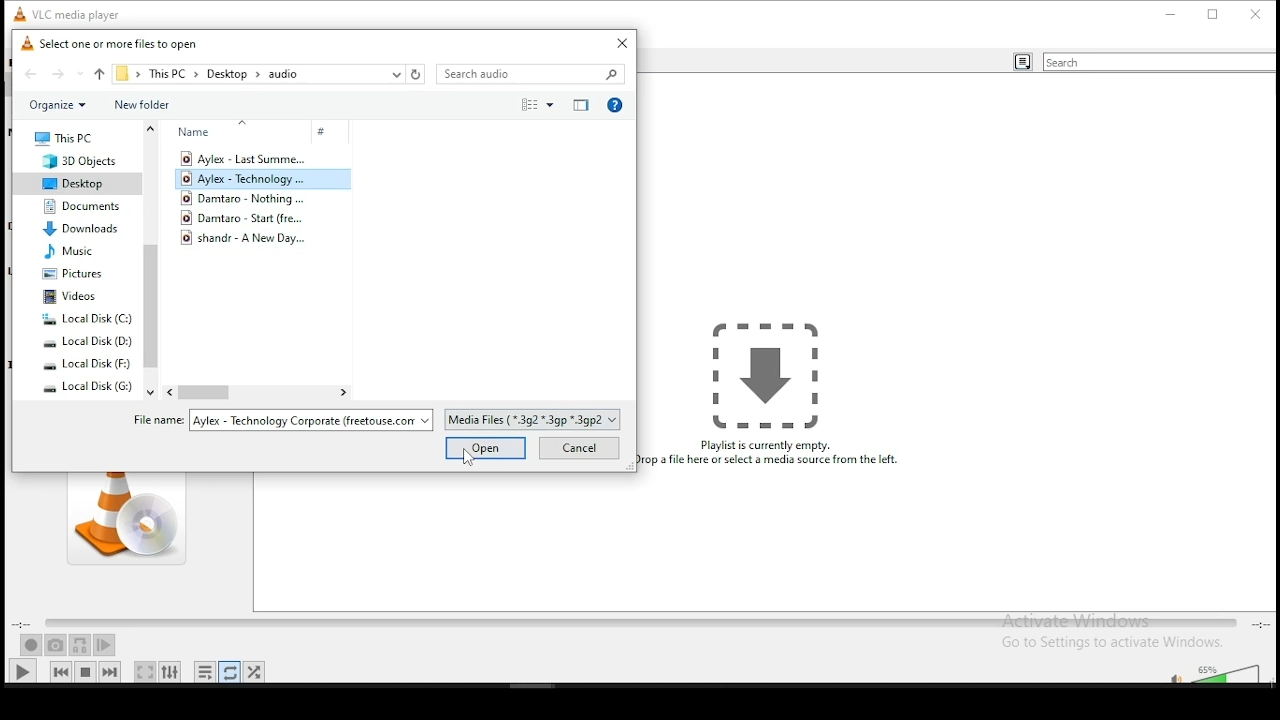 This screenshot has height=720, width=1280. I want to click on shandr - a new day, so click(252, 238).